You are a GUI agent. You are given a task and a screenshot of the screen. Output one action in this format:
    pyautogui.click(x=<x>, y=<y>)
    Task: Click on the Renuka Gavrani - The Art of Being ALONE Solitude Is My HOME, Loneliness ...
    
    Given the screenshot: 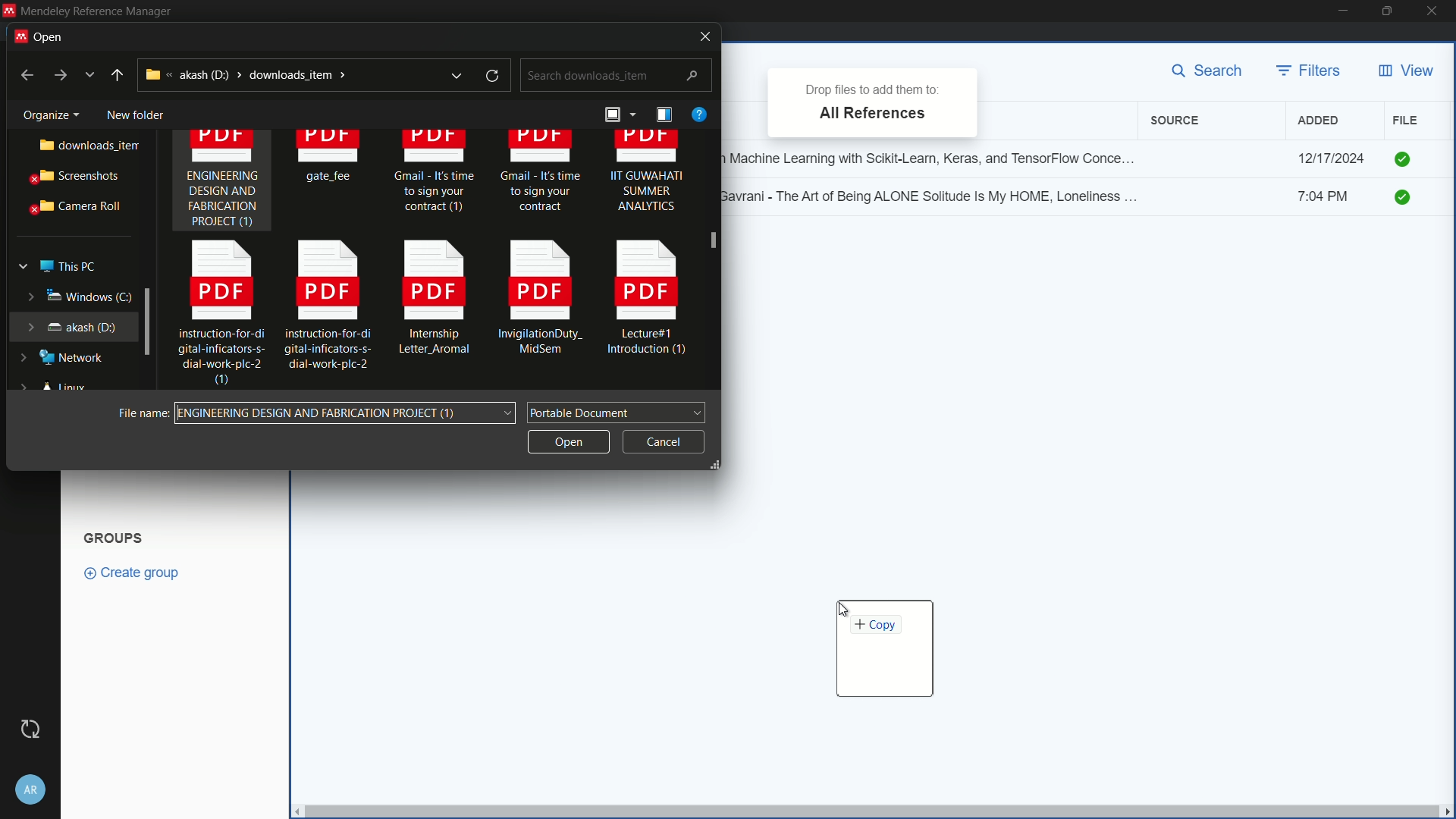 What is the action you would take?
    pyautogui.click(x=937, y=195)
    